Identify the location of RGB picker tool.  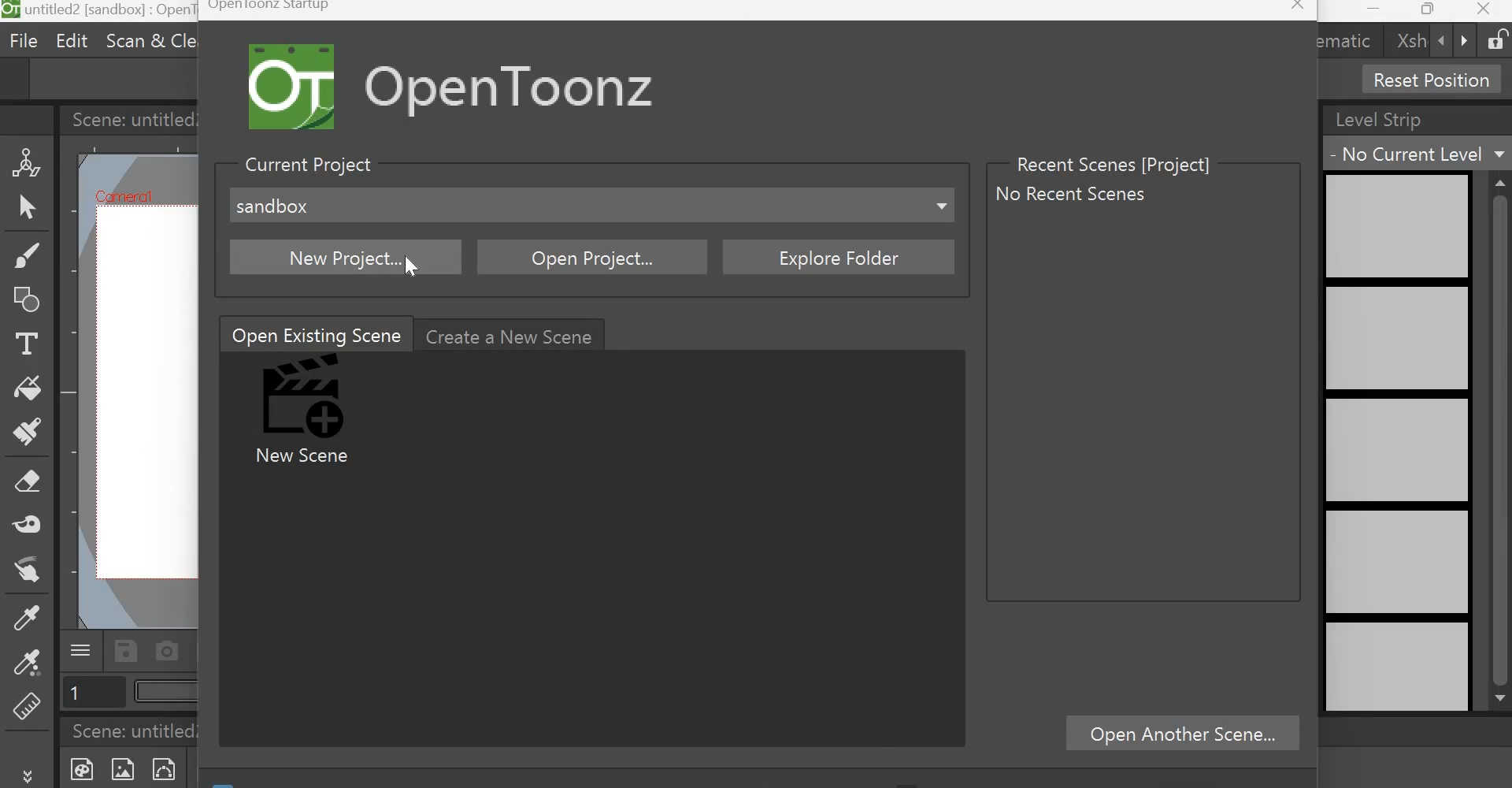
(26, 667).